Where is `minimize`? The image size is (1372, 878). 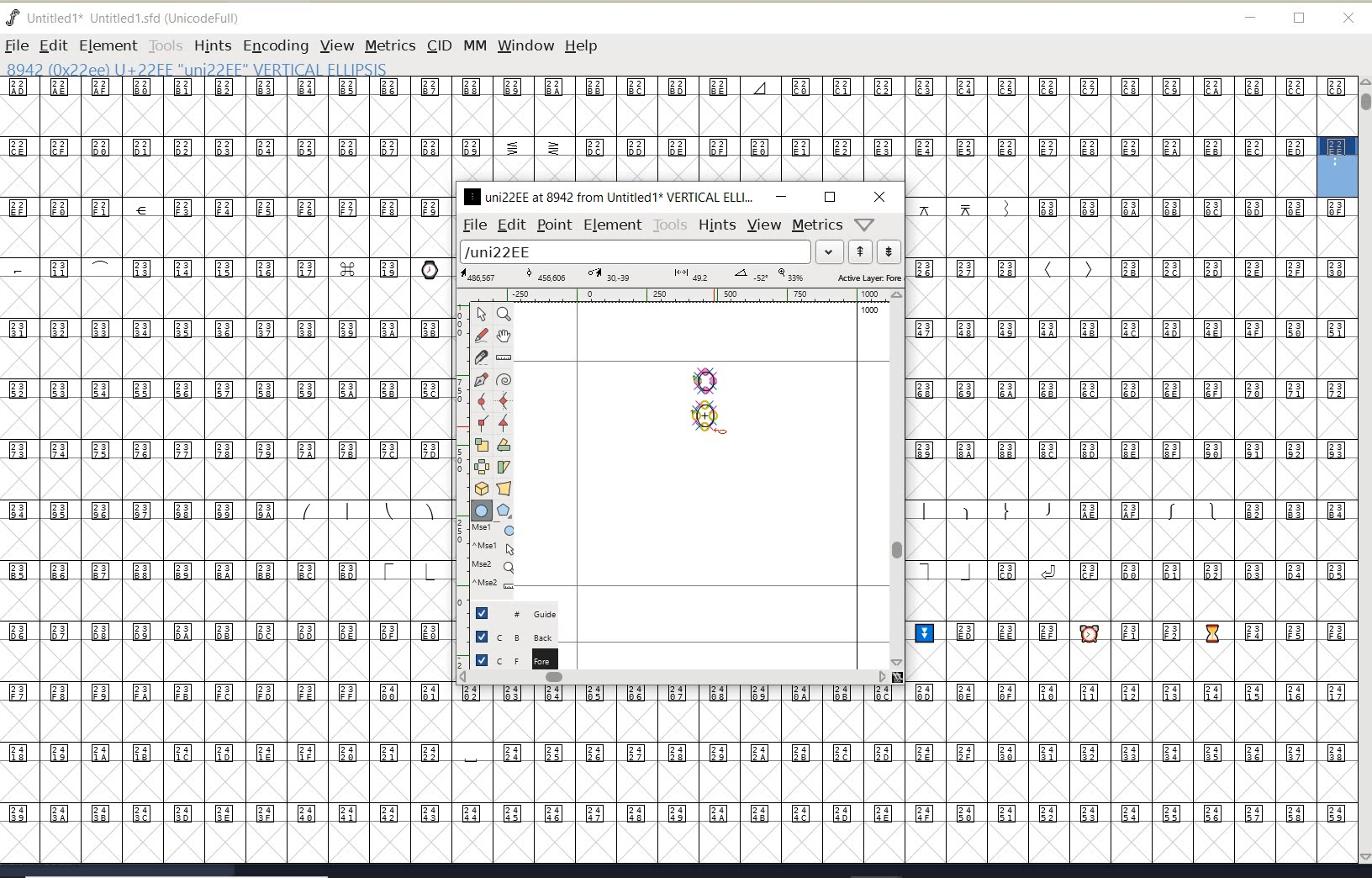 minimize is located at coordinates (1251, 18).